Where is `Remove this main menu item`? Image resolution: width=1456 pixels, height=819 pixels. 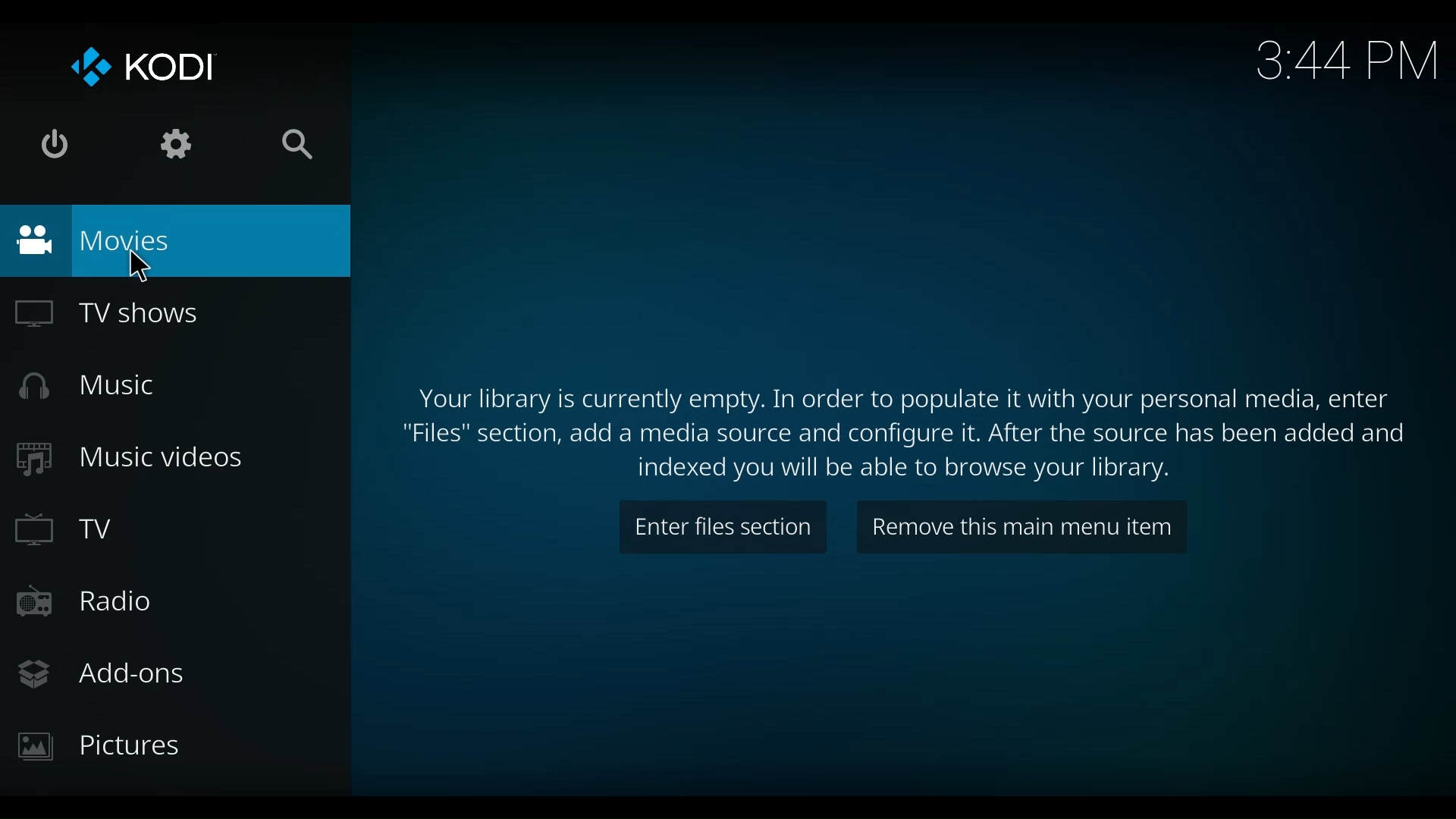 Remove this main menu item is located at coordinates (1023, 526).